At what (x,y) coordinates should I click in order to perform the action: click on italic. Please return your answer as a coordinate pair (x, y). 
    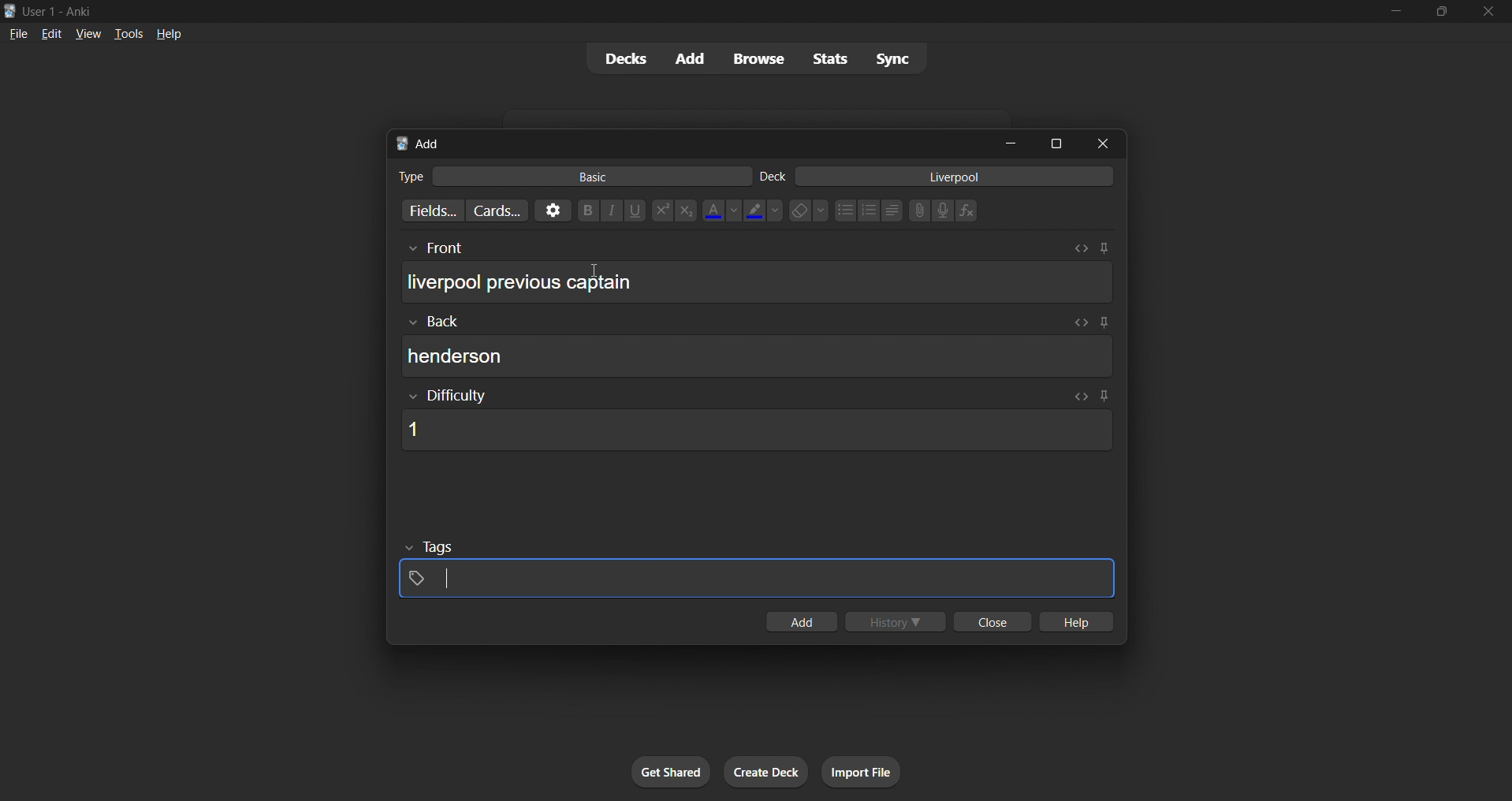
    Looking at the image, I should click on (613, 212).